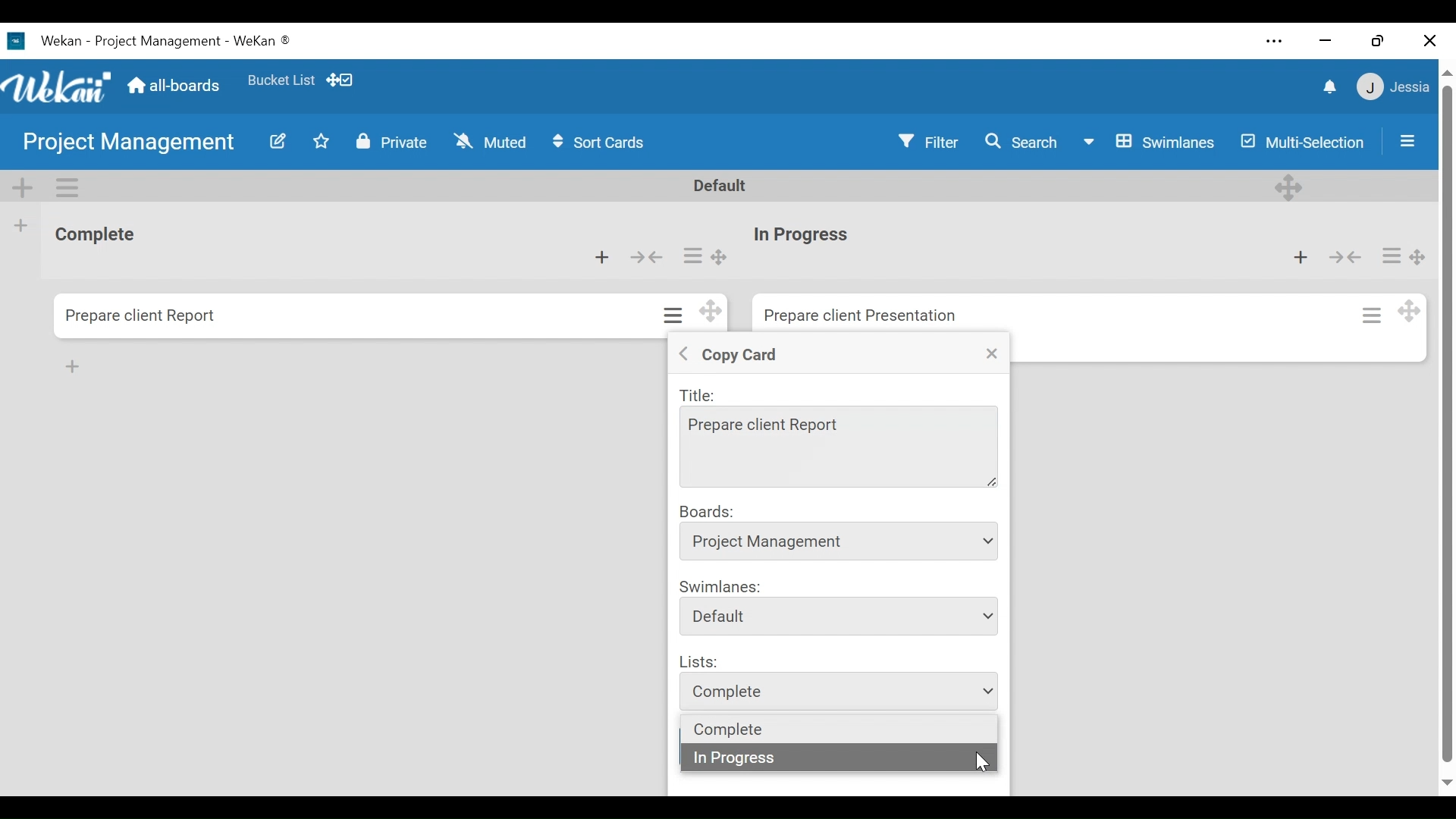  What do you see at coordinates (731, 185) in the screenshot?
I see `Default` at bounding box center [731, 185].